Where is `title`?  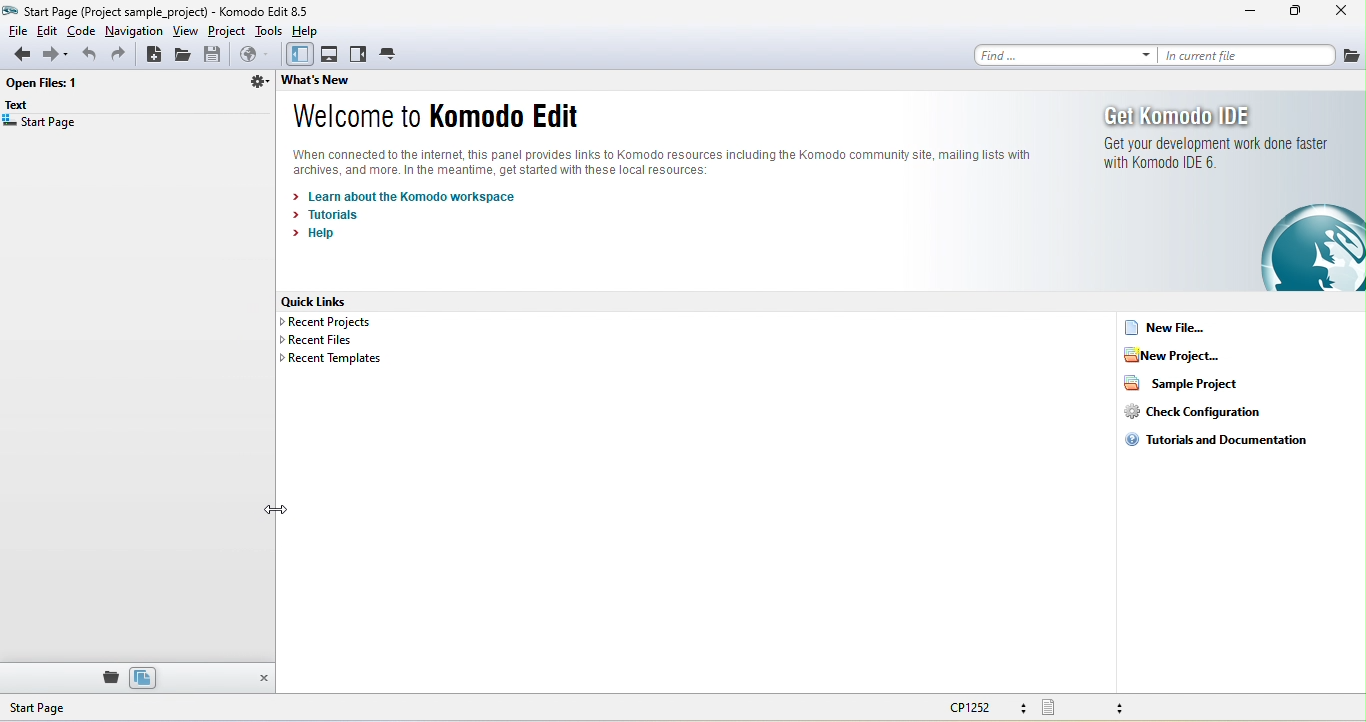
title is located at coordinates (164, 11).